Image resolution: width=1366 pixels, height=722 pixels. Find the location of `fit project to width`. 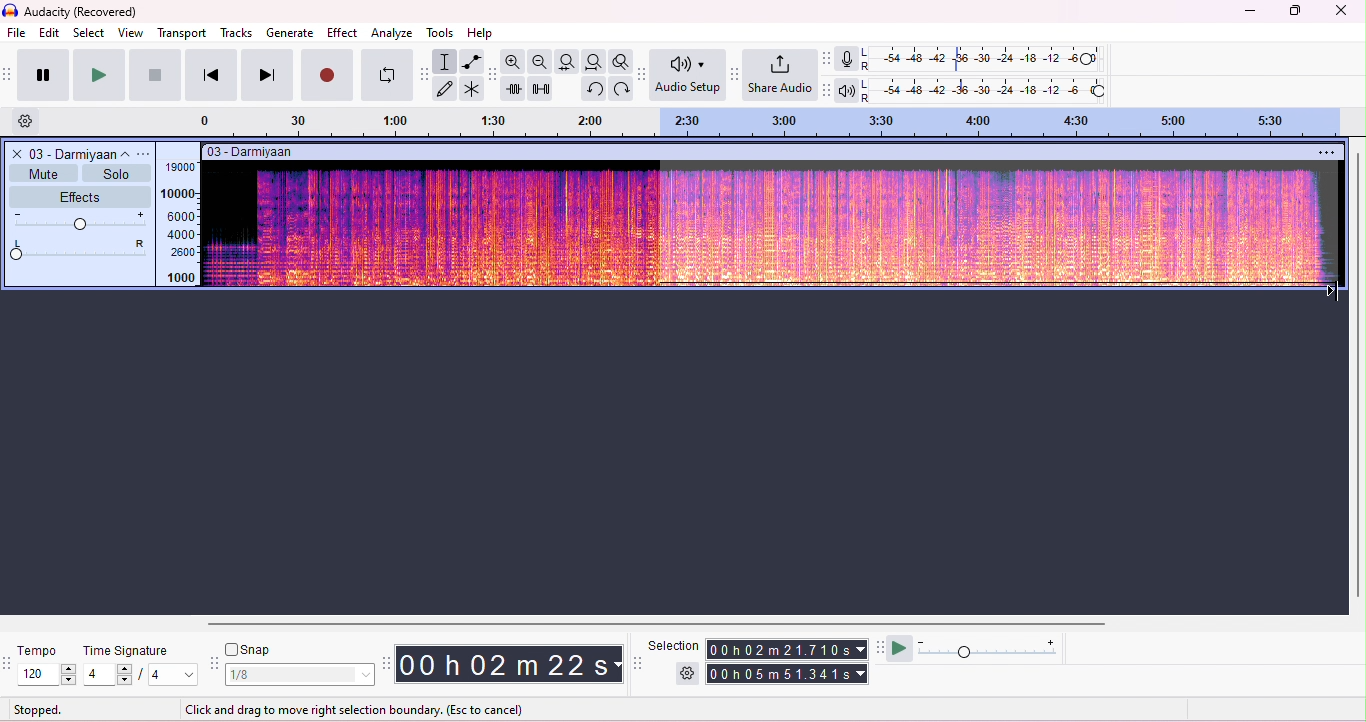

fit project to width is located at coordinates (593, 61).